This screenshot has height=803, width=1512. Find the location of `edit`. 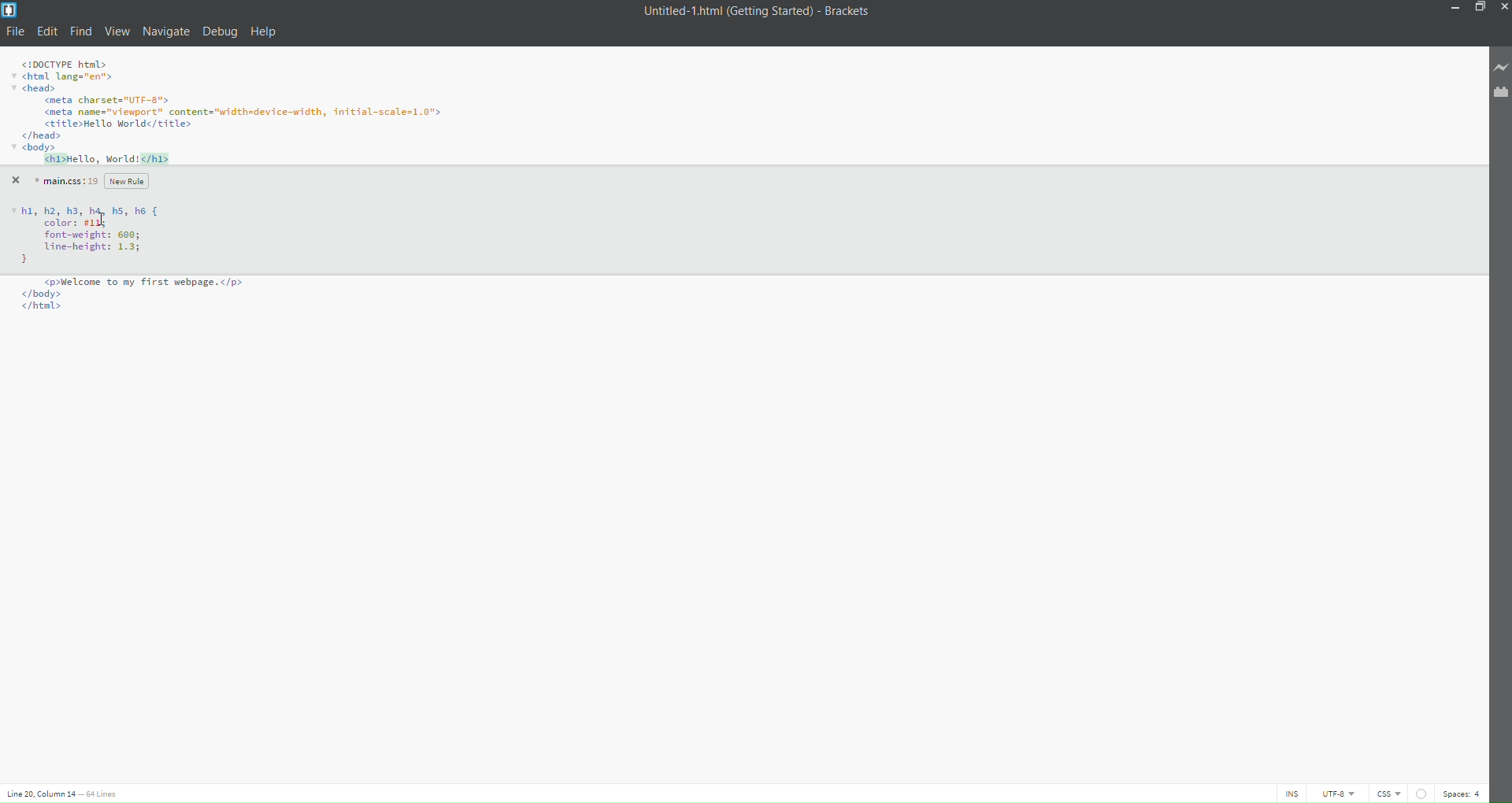

edit is located at coordinates (49, 31).